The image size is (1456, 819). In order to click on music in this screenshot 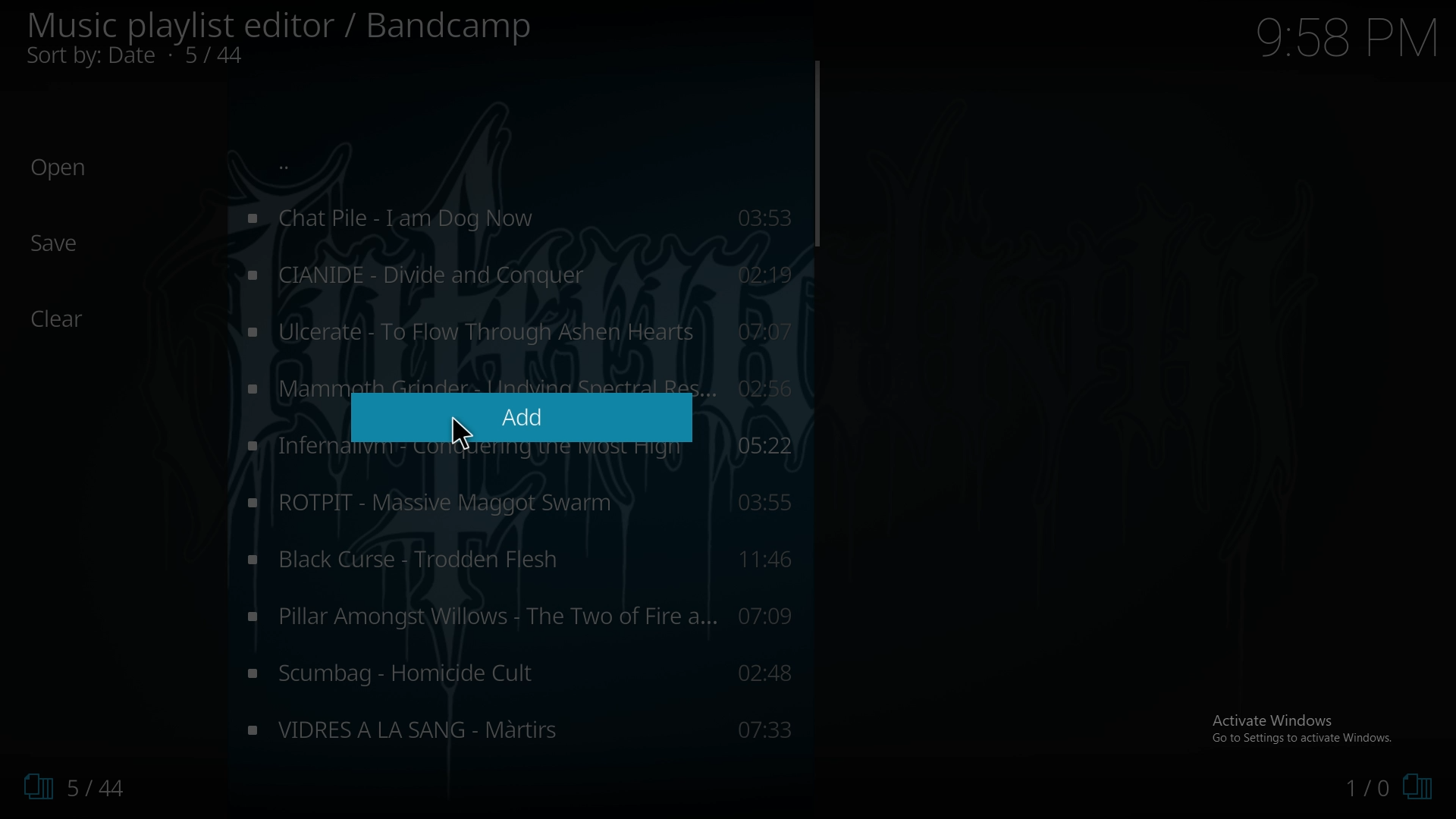, I will do `click(519, 726)`.